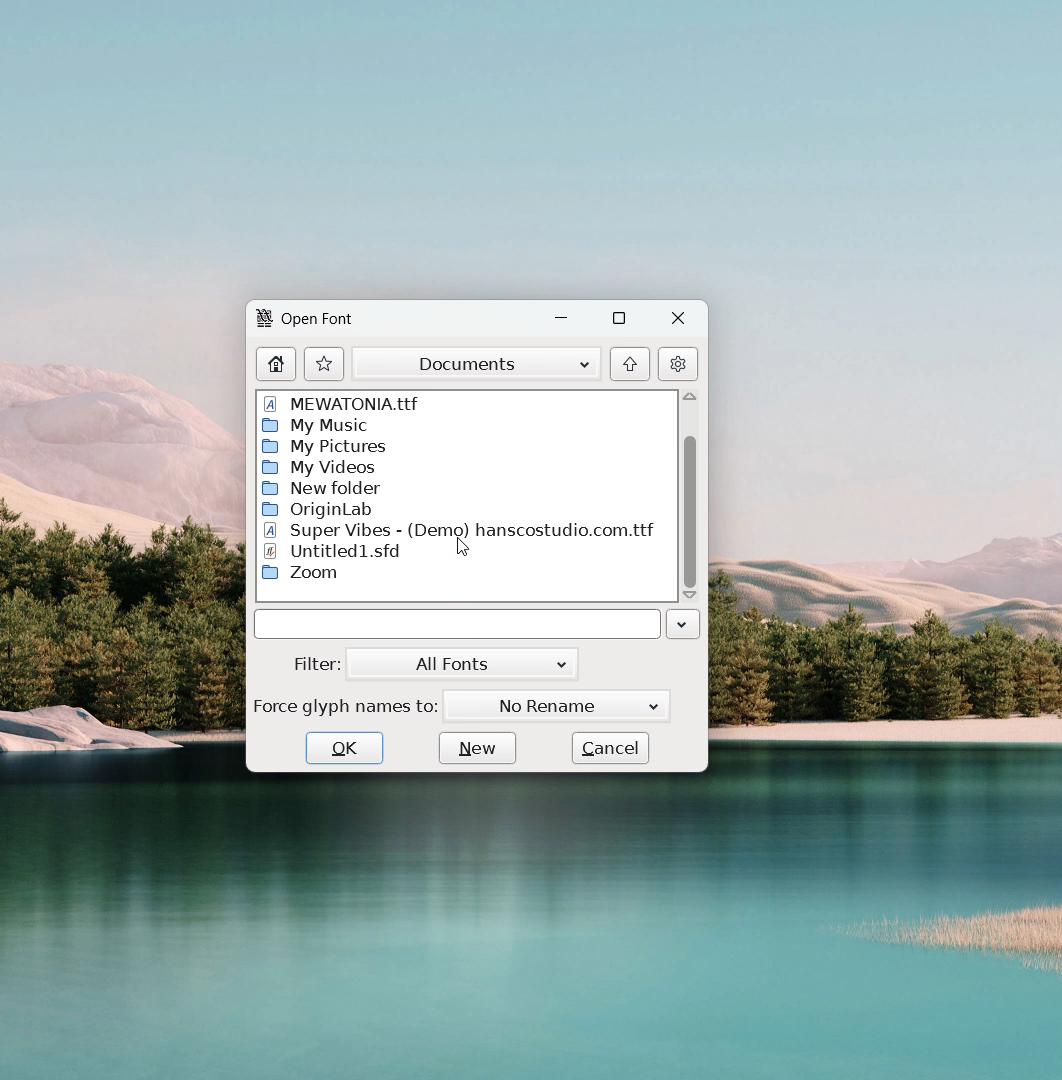 The height and width of the screenshot is (1080, 1062). I want to click on Untitled1.std, so click(331, 555).